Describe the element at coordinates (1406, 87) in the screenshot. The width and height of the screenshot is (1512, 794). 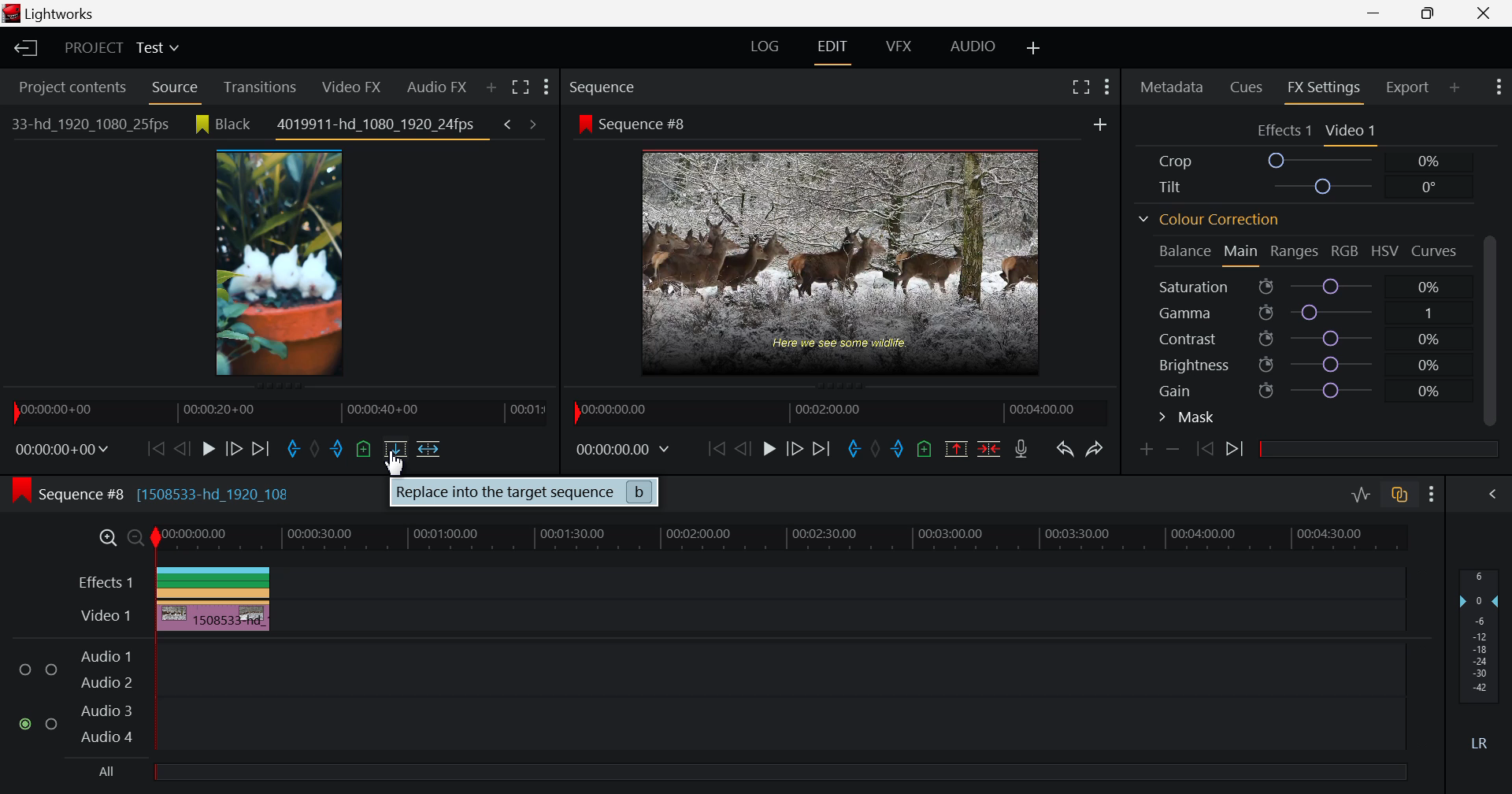
I see `Export Tab` at that location.